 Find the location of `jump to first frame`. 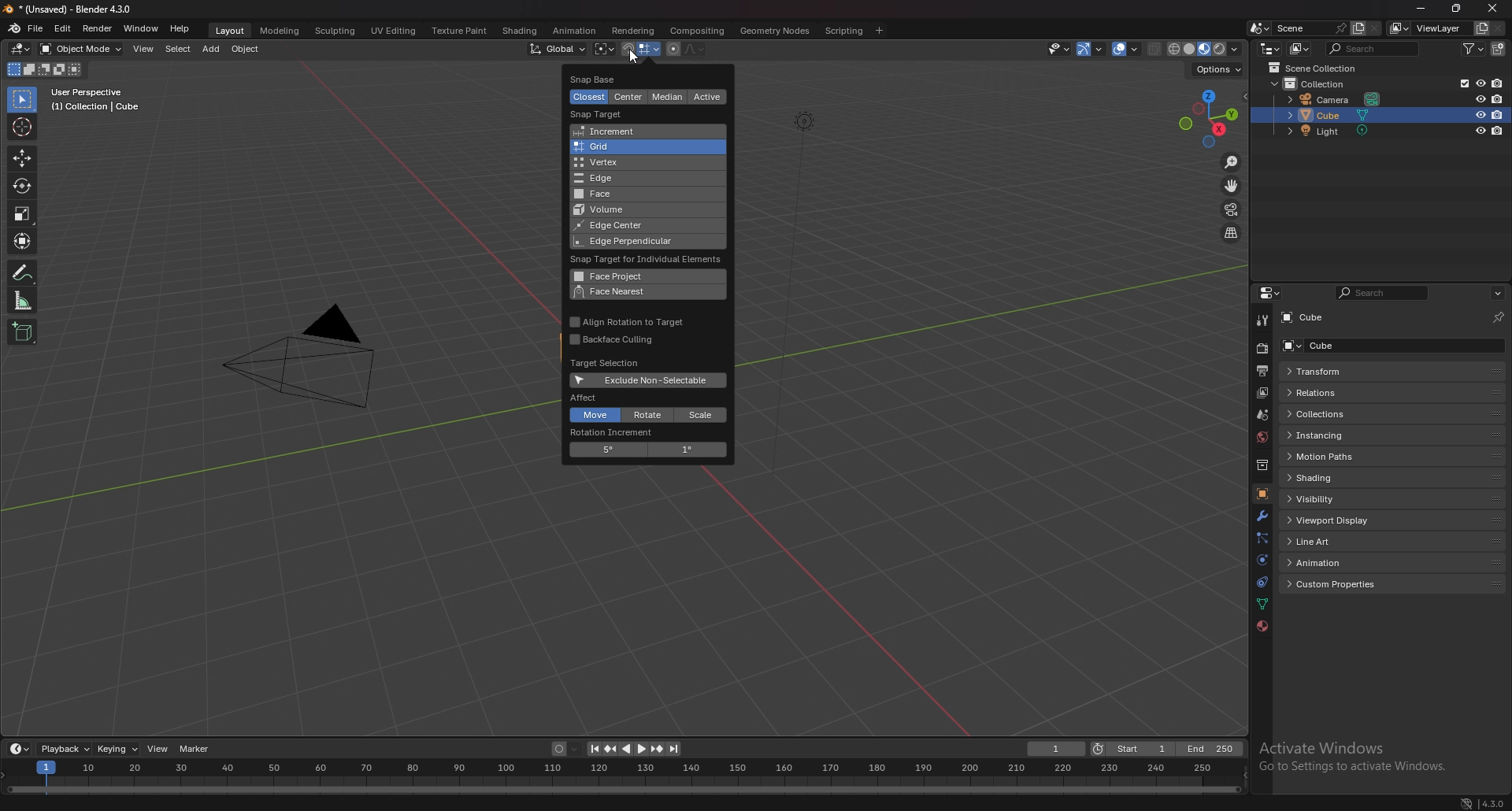

jump to first frame is located at coordinates (595, 749).